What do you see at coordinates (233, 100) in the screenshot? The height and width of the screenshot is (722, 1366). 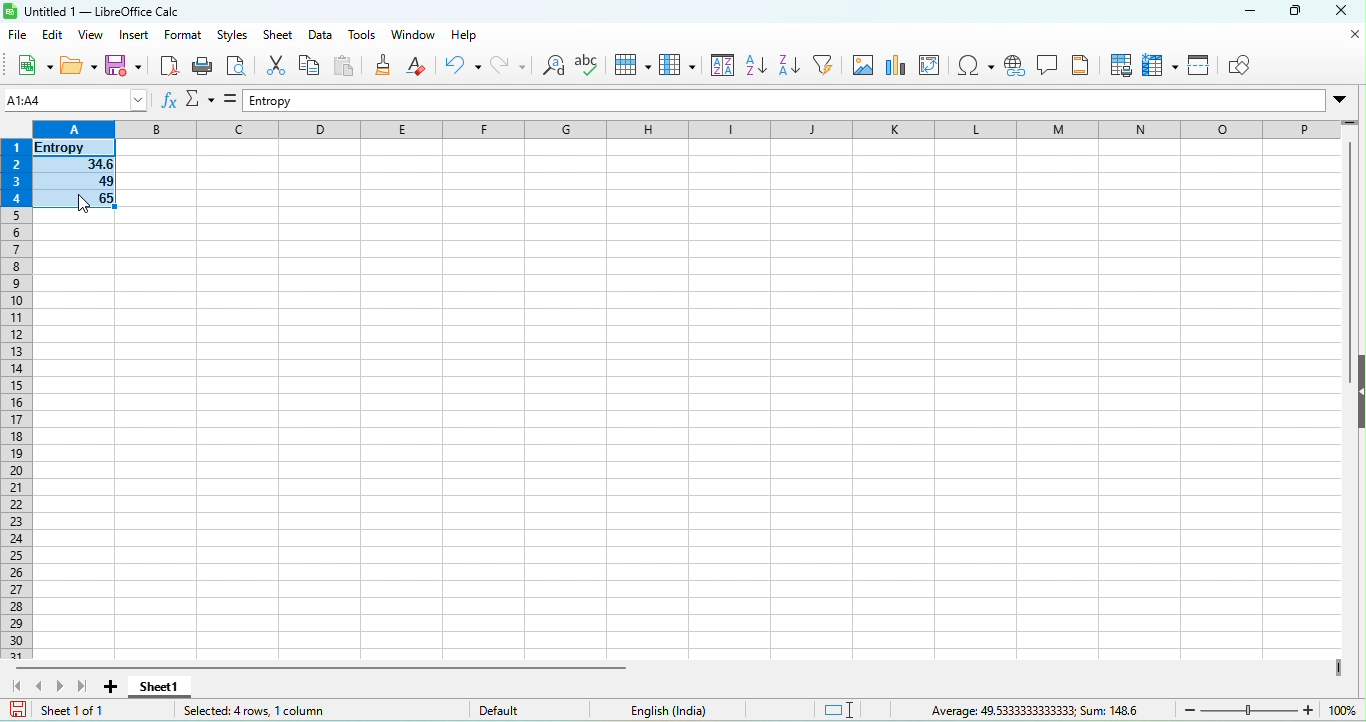 I see `formula` at bounding box center [233, 100].